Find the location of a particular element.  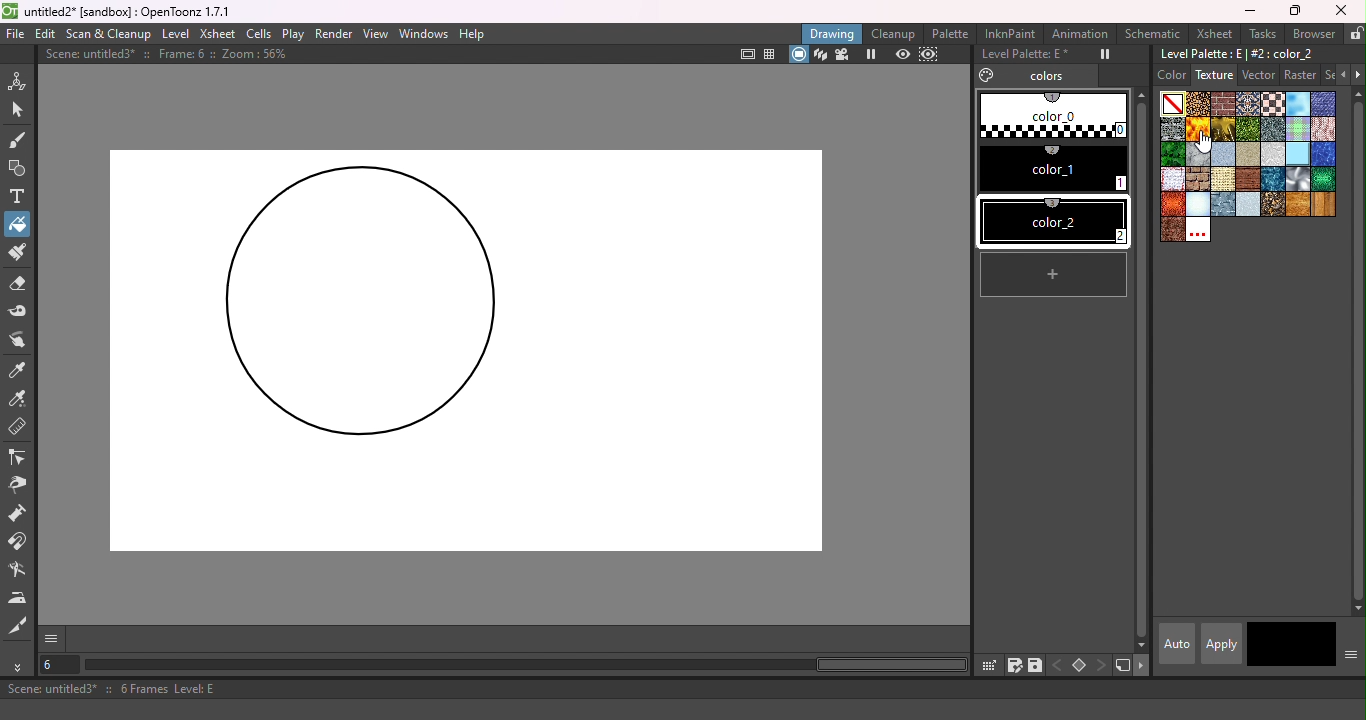

Geometric tool is located at coordinates (19, 168).